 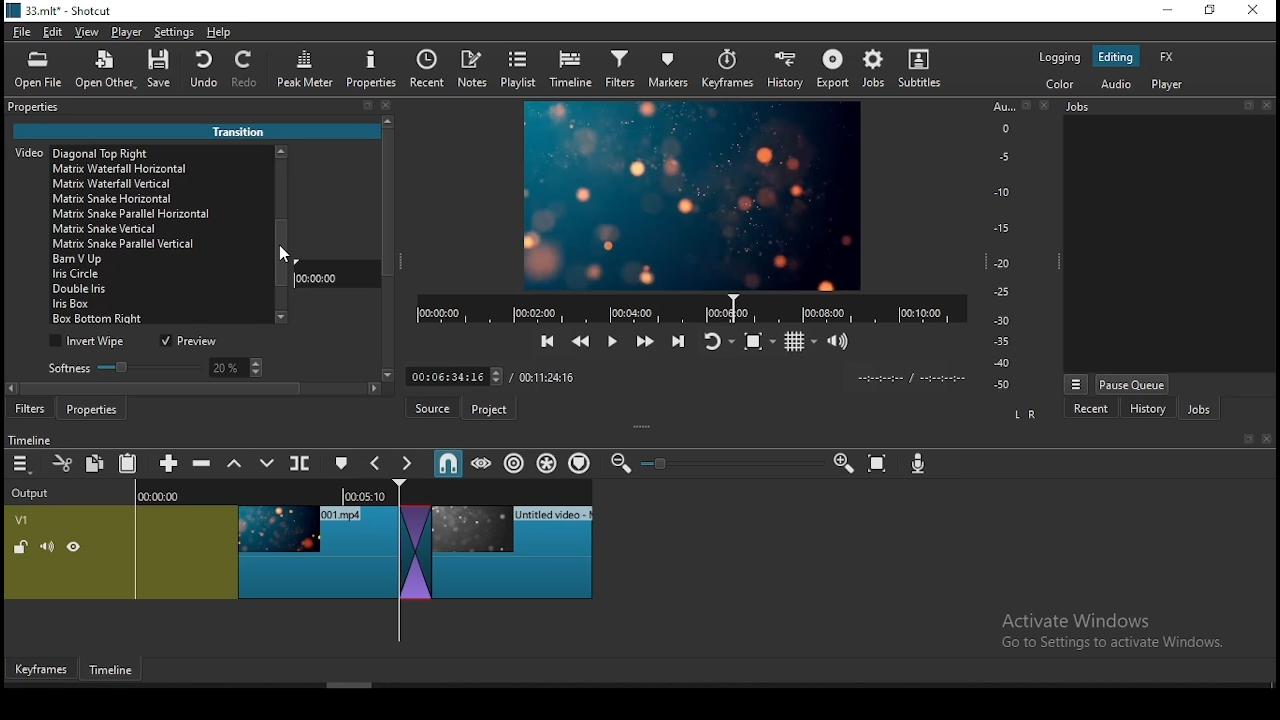 I want to click on toggle zoom, so click(x=759, y=341).